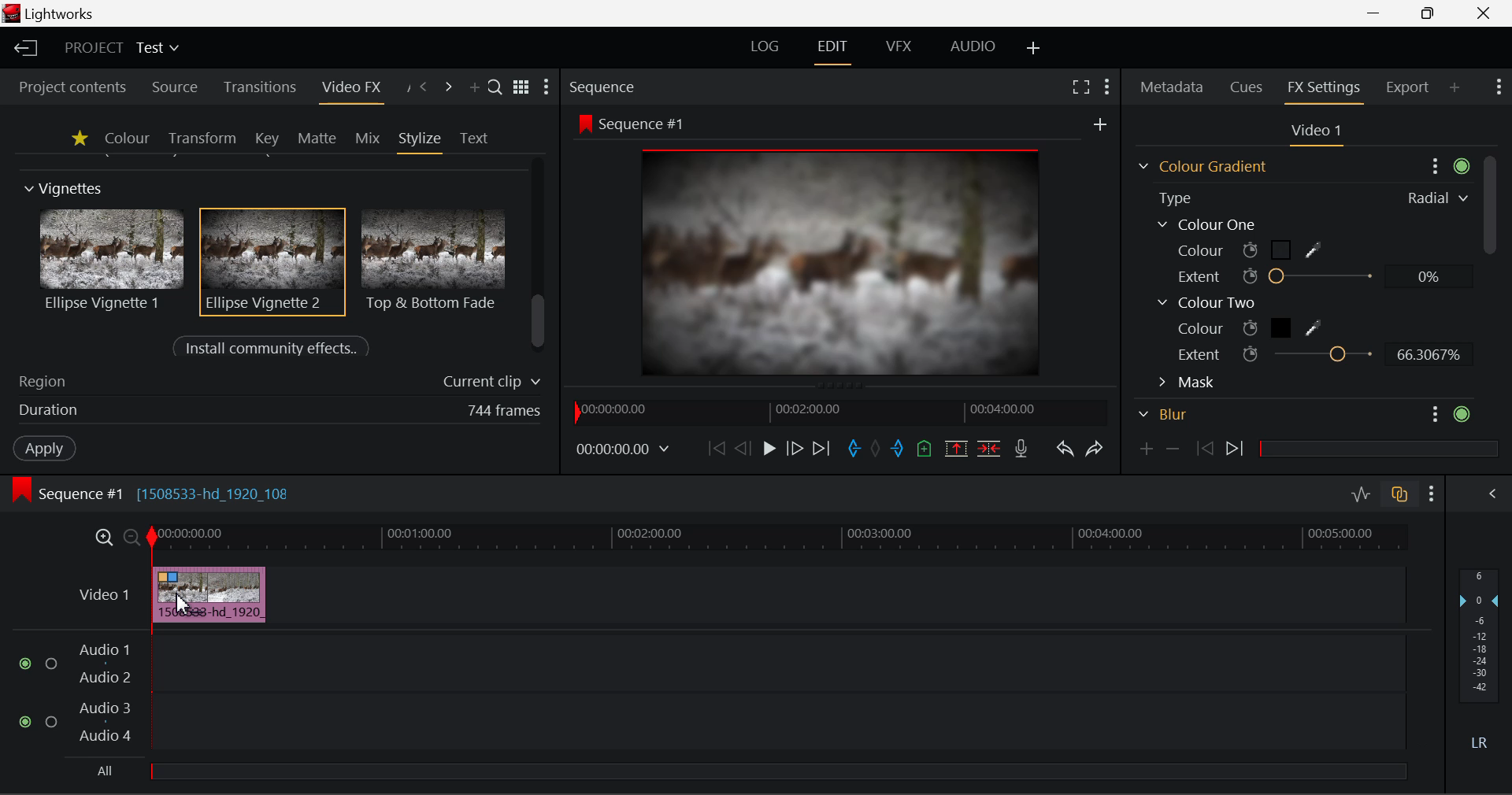 This screenshot has height=795, width=1512. I want to click on VFX Layout, so click(899, 49).